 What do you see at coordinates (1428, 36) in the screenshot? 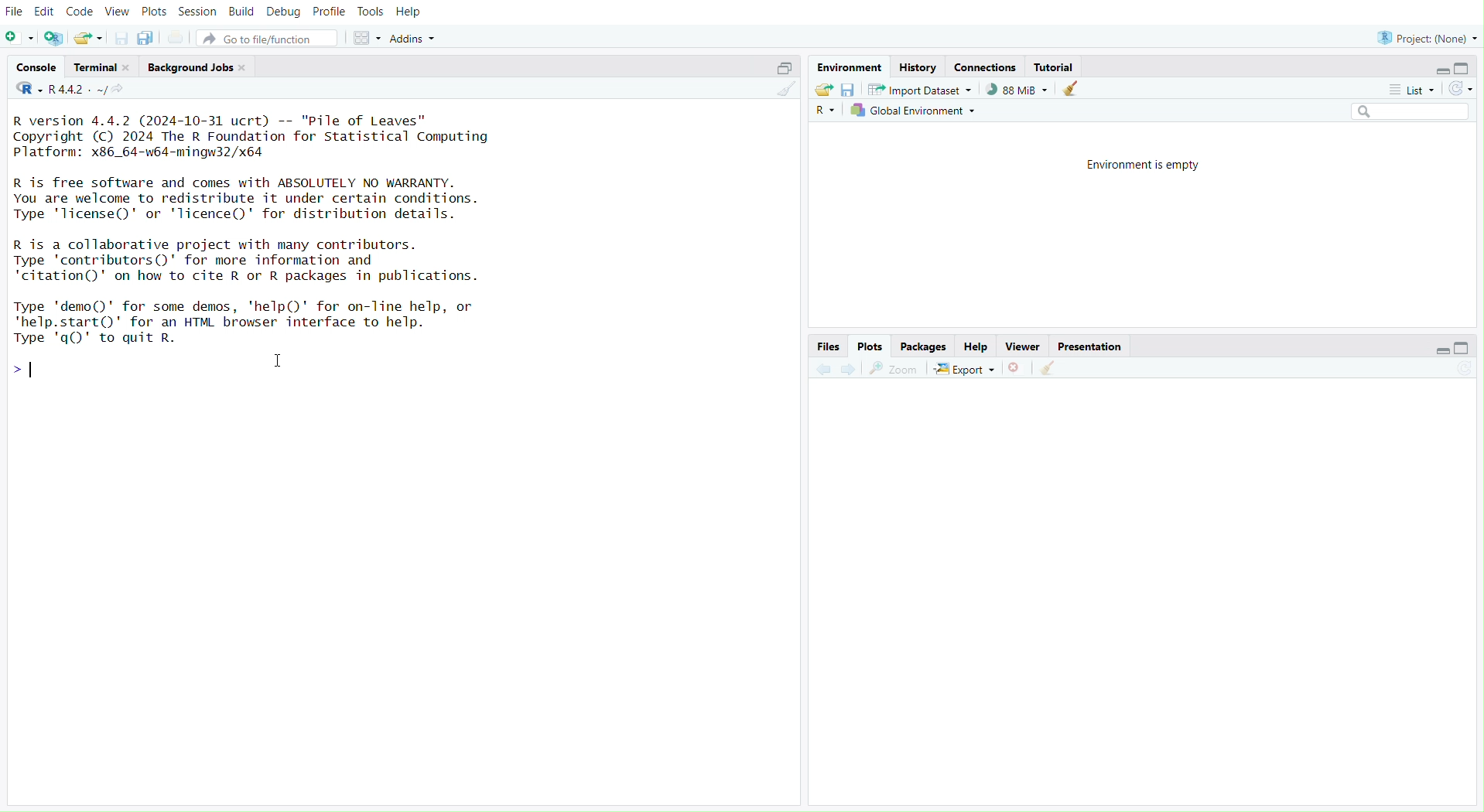
I see `Project (None)` at bounding box center [1428, 36].